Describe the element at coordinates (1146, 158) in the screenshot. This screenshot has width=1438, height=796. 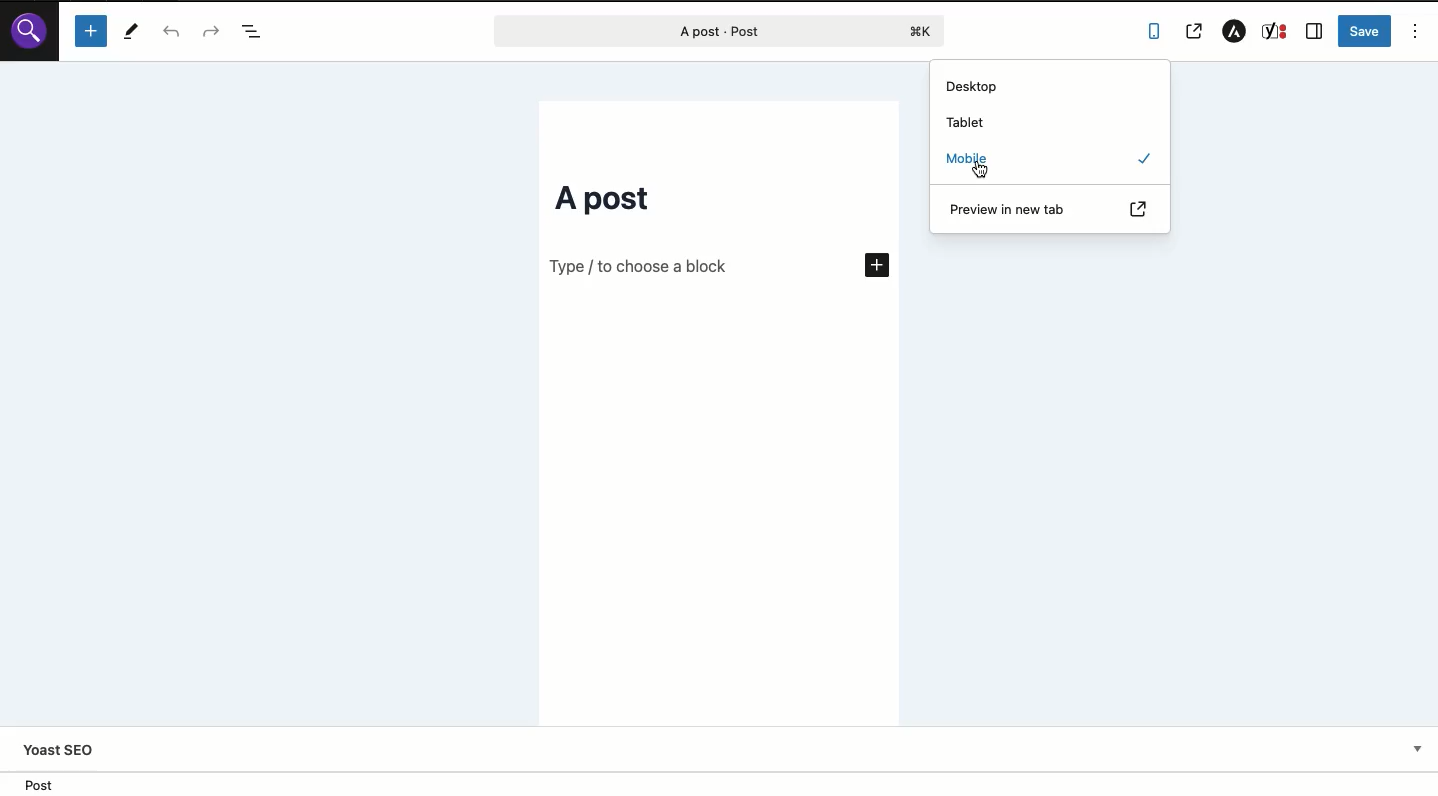
I see `selected` at that location.